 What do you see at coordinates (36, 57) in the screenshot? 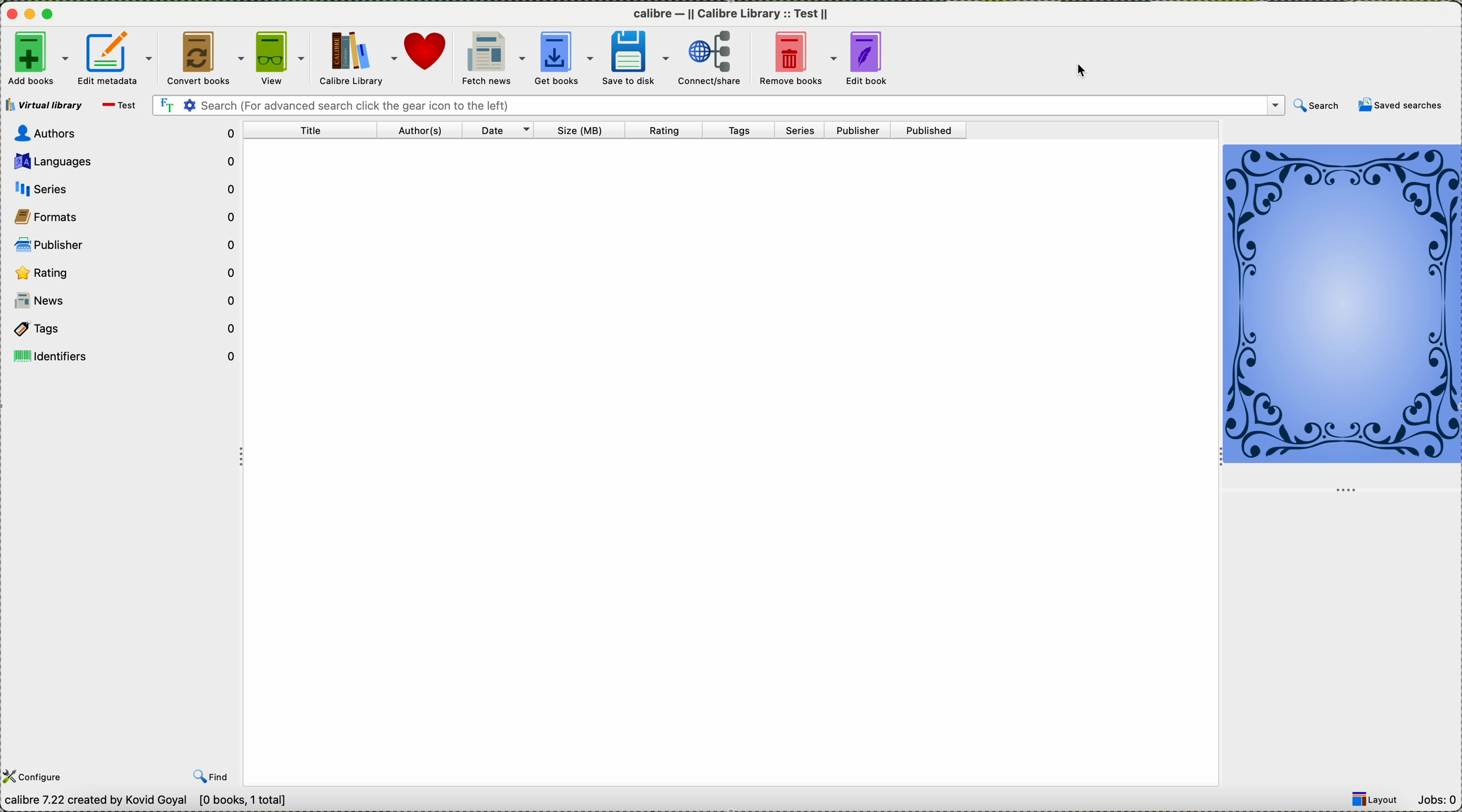
I see `add books` at bounding box center [36, 57].